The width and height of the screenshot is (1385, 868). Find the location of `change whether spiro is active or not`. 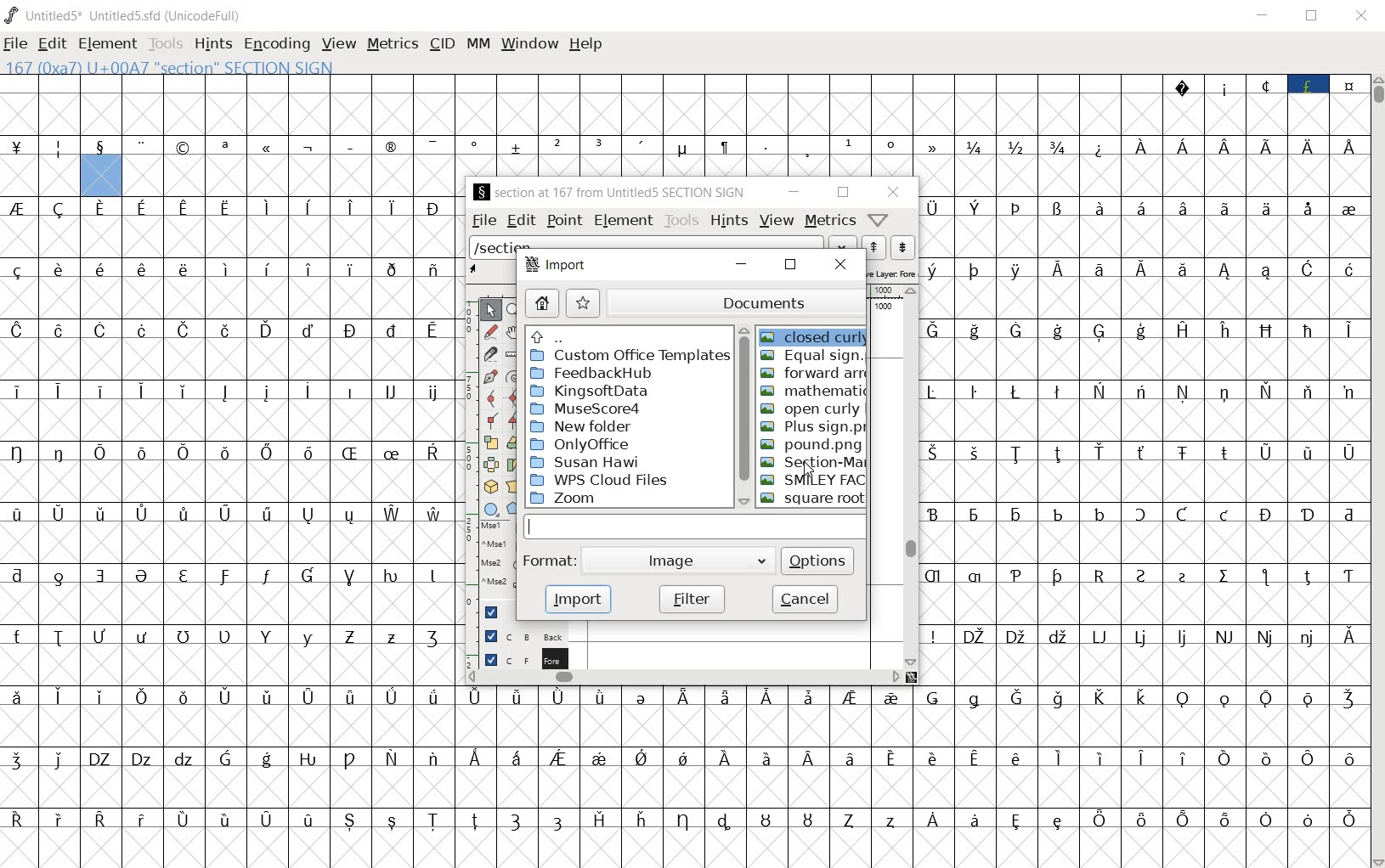

change whether spiro is active or not is located at coordinates (515, 376).